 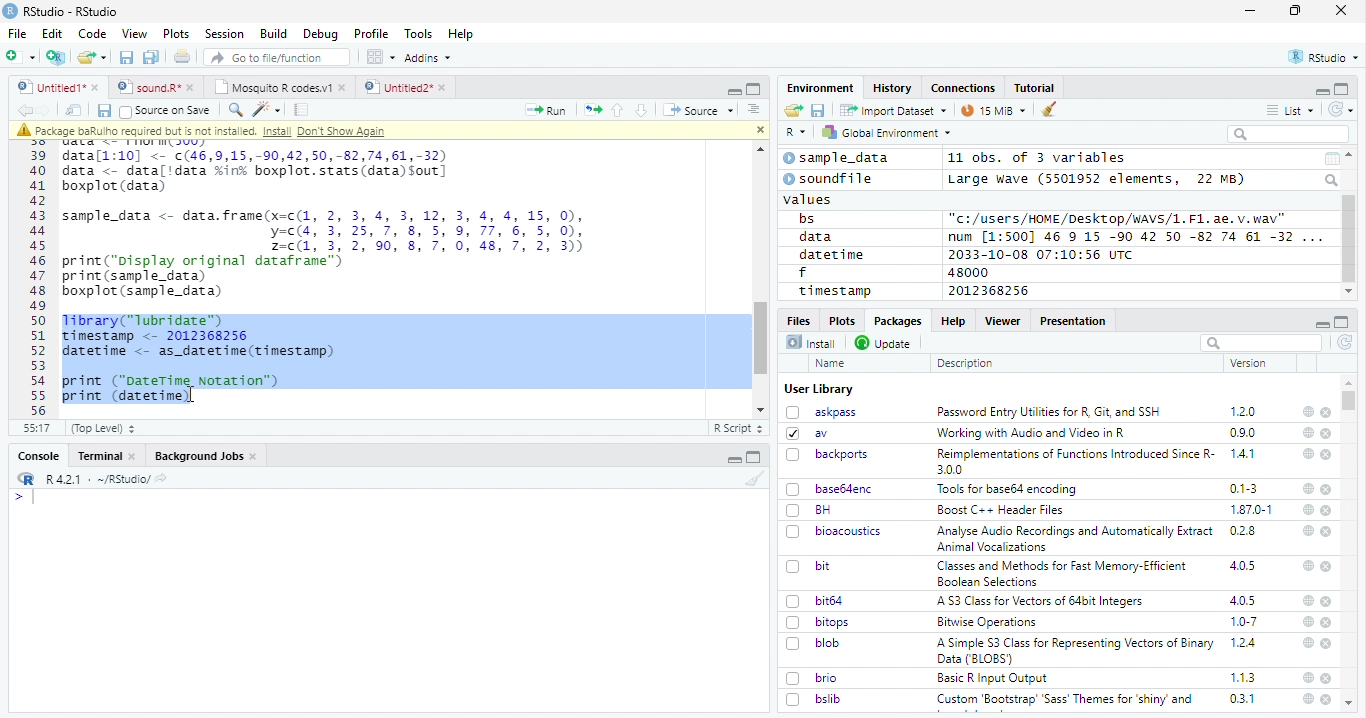 I want to click on Help, so click(x=461, y=35).